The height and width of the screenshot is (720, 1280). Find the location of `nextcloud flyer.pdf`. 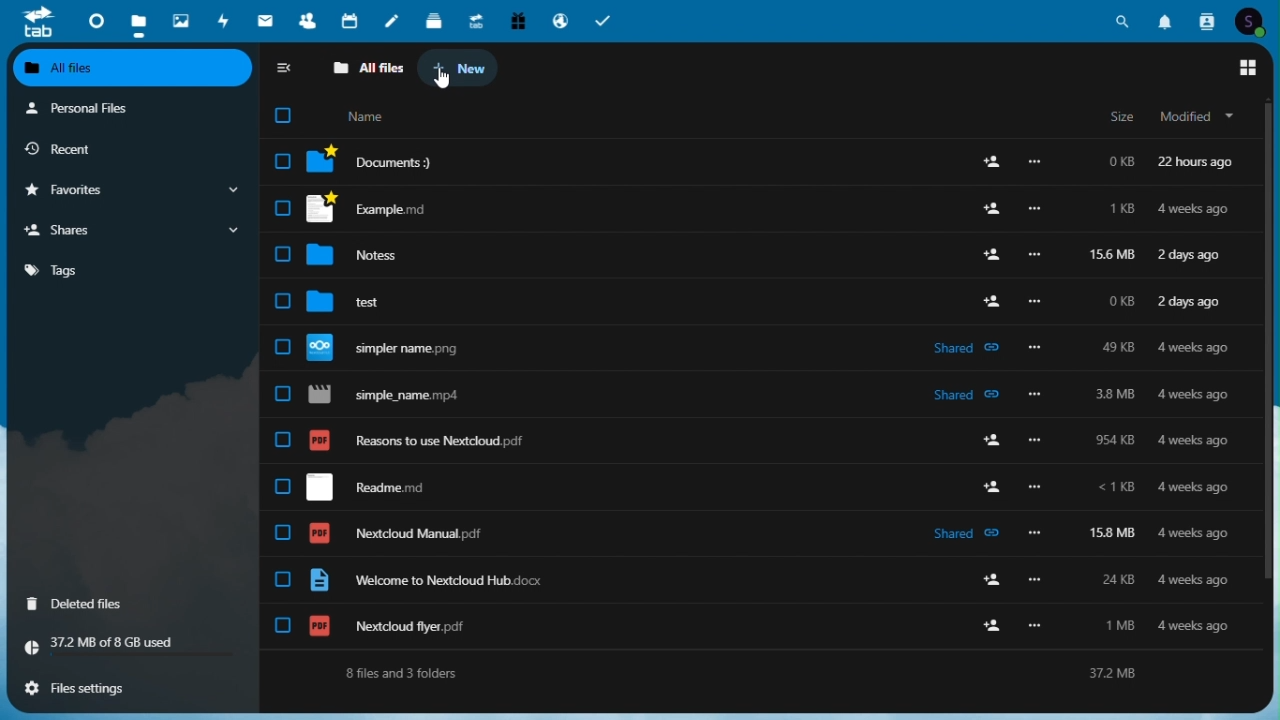

nextcloud flyer.pdf is located at coordinates (407, 627).